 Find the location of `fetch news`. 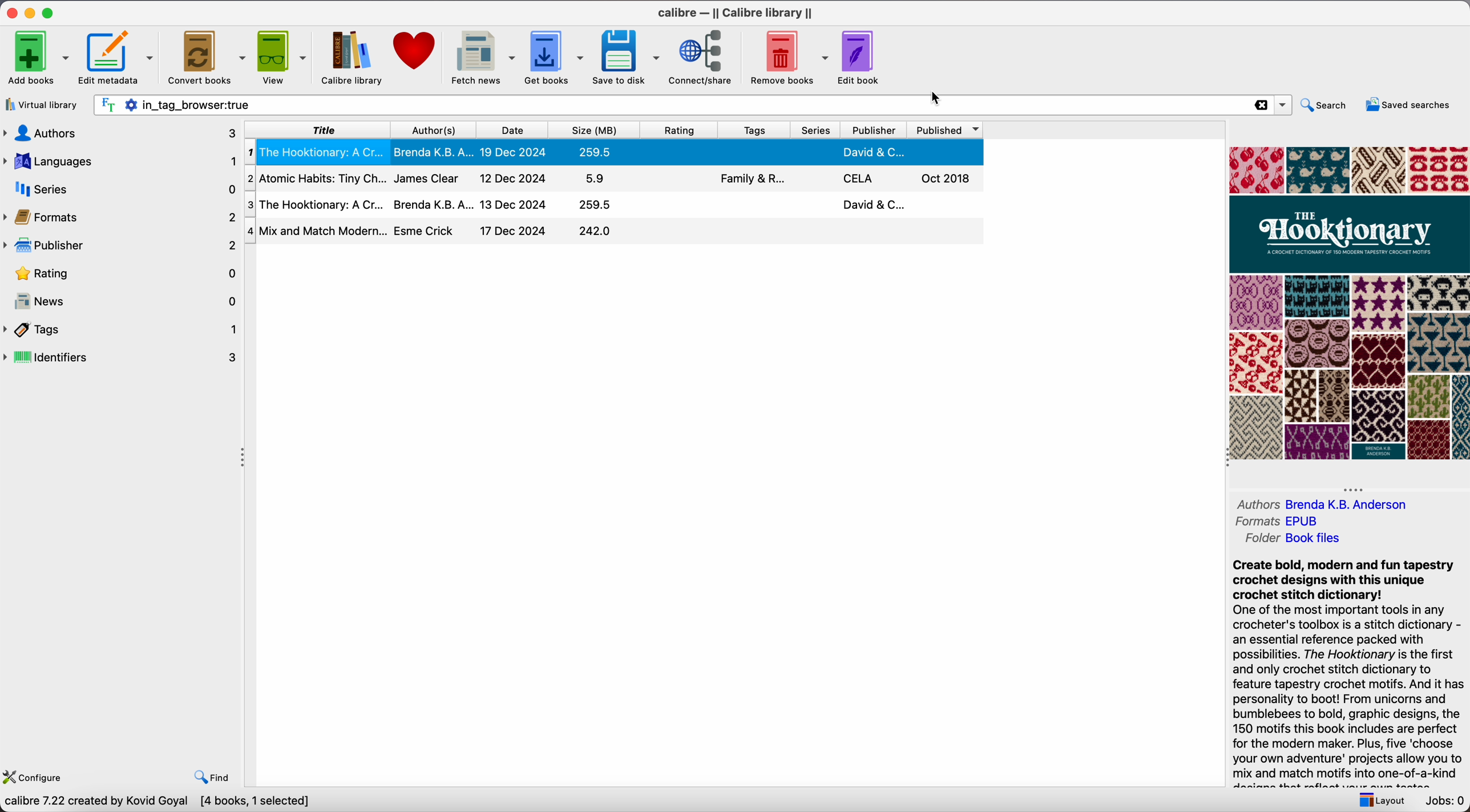

fetch news is located at coordinates (482, 56).